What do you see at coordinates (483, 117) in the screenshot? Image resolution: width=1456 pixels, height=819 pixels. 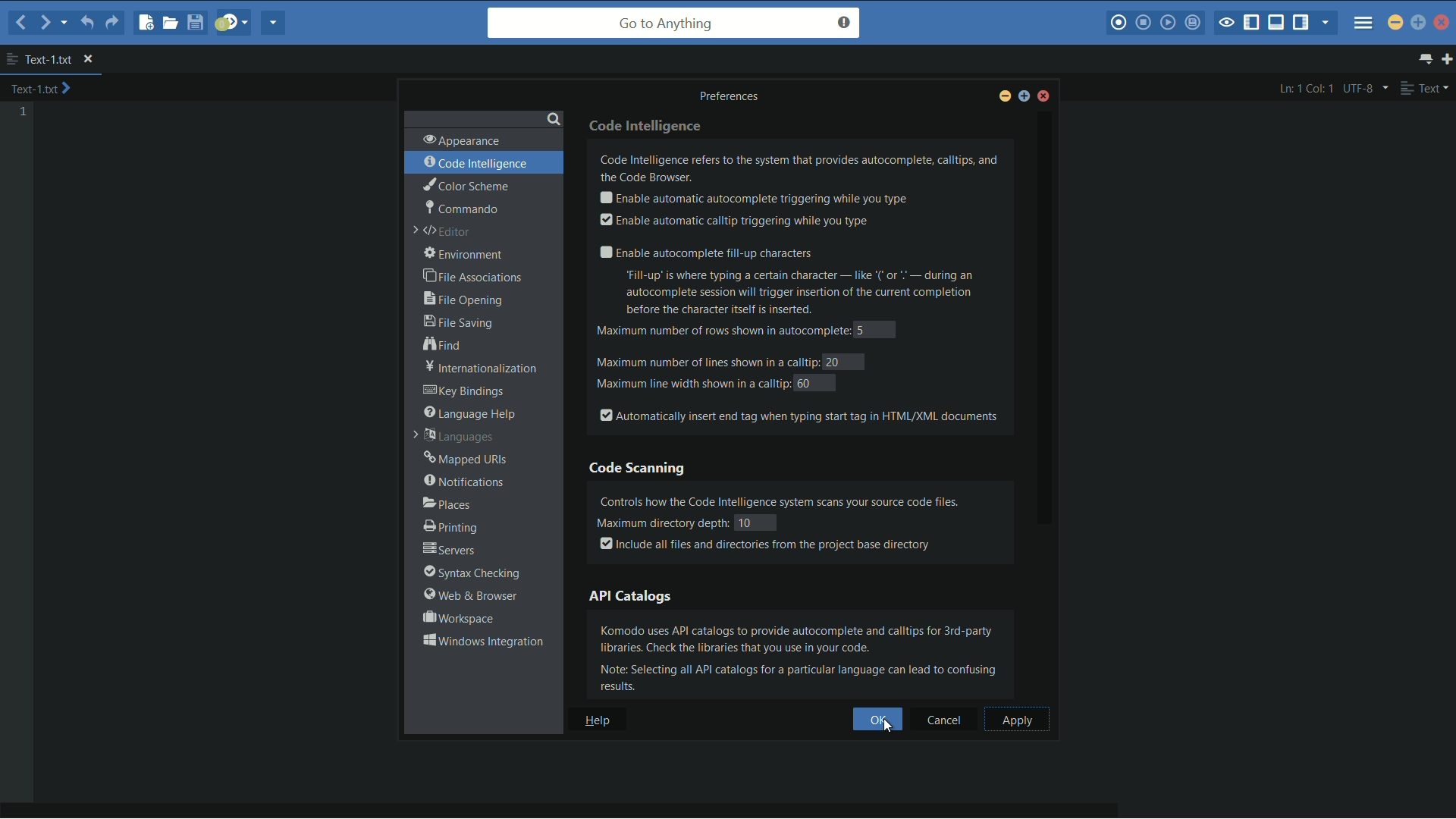 I see `search bar` at bounding box center [483, 117].